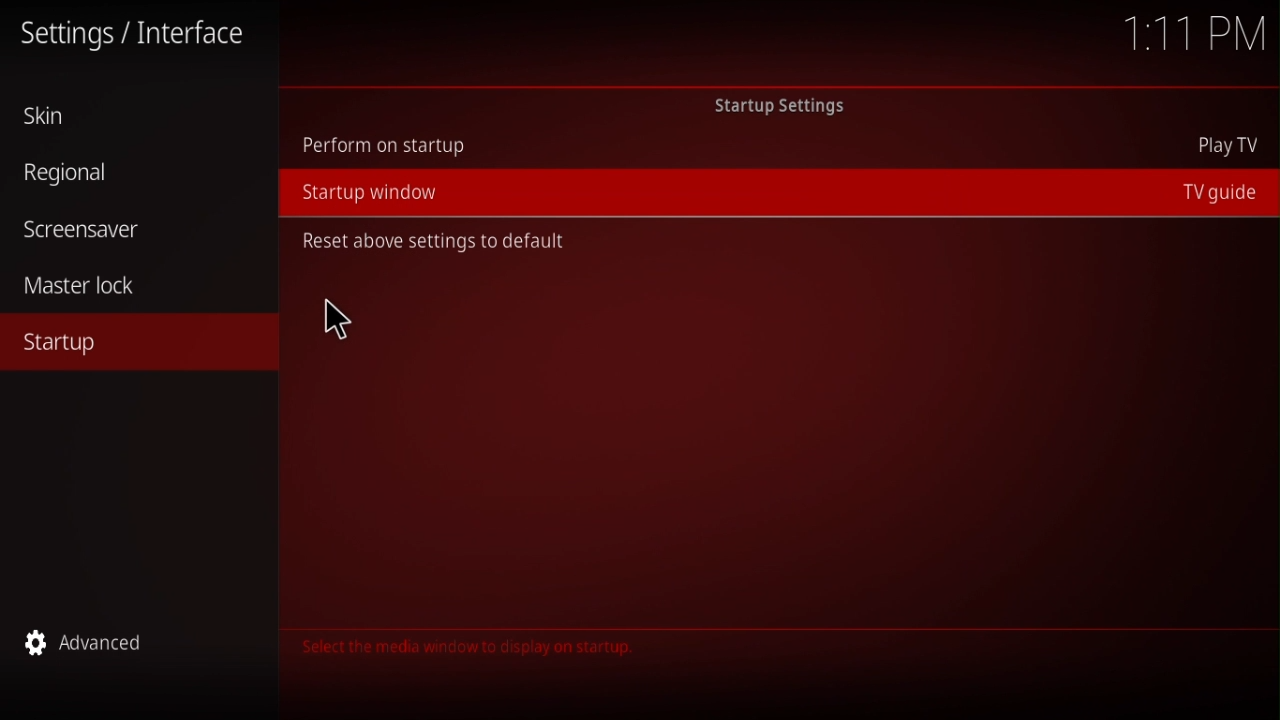 This screenshot has width=1280, height=720. What do you see at coordinates (64, 344) in the screenshot?
I see `startup` at bounding box center [64, 344].